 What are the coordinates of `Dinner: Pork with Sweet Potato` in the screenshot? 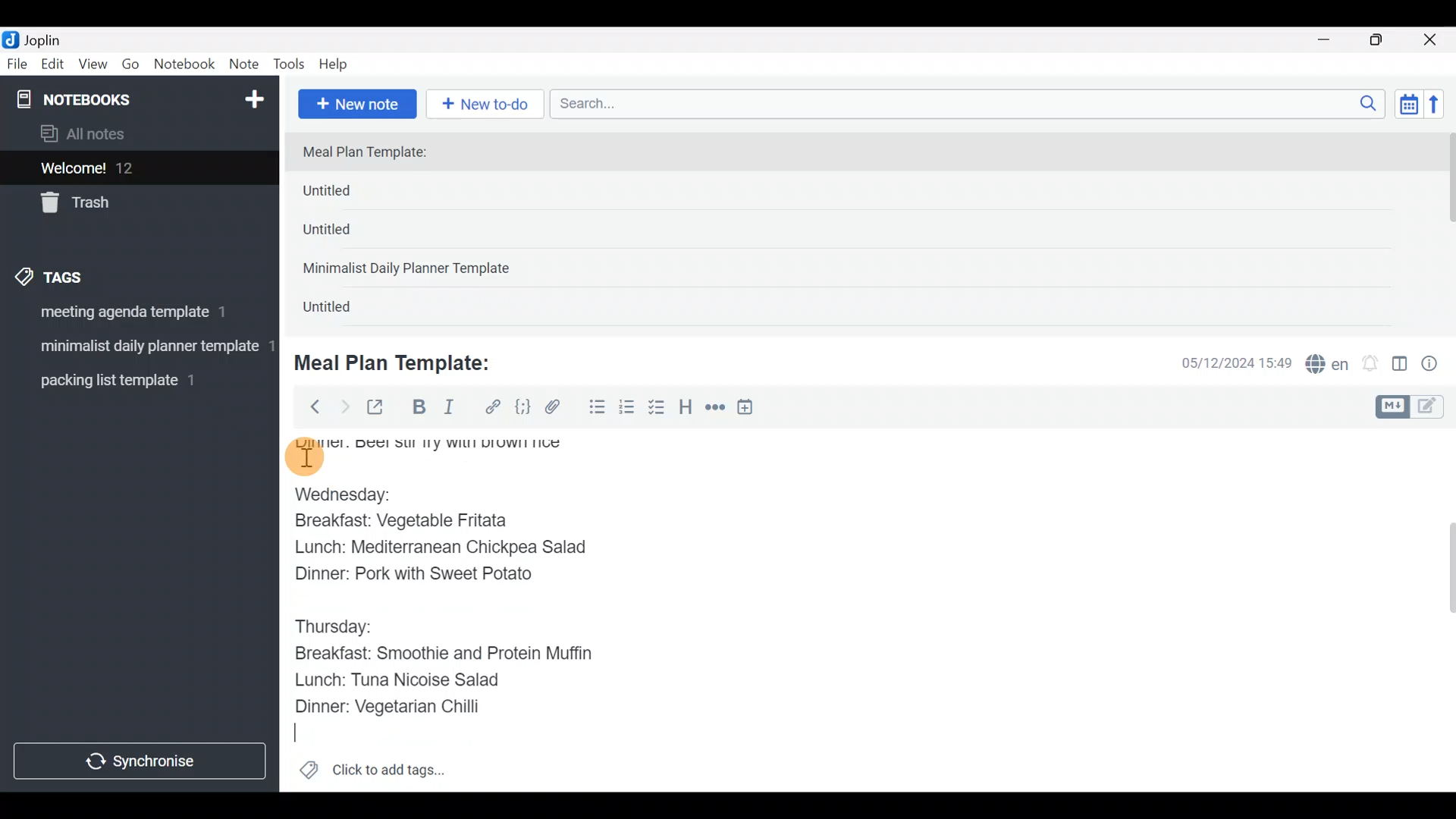 It's located at (428, 574).